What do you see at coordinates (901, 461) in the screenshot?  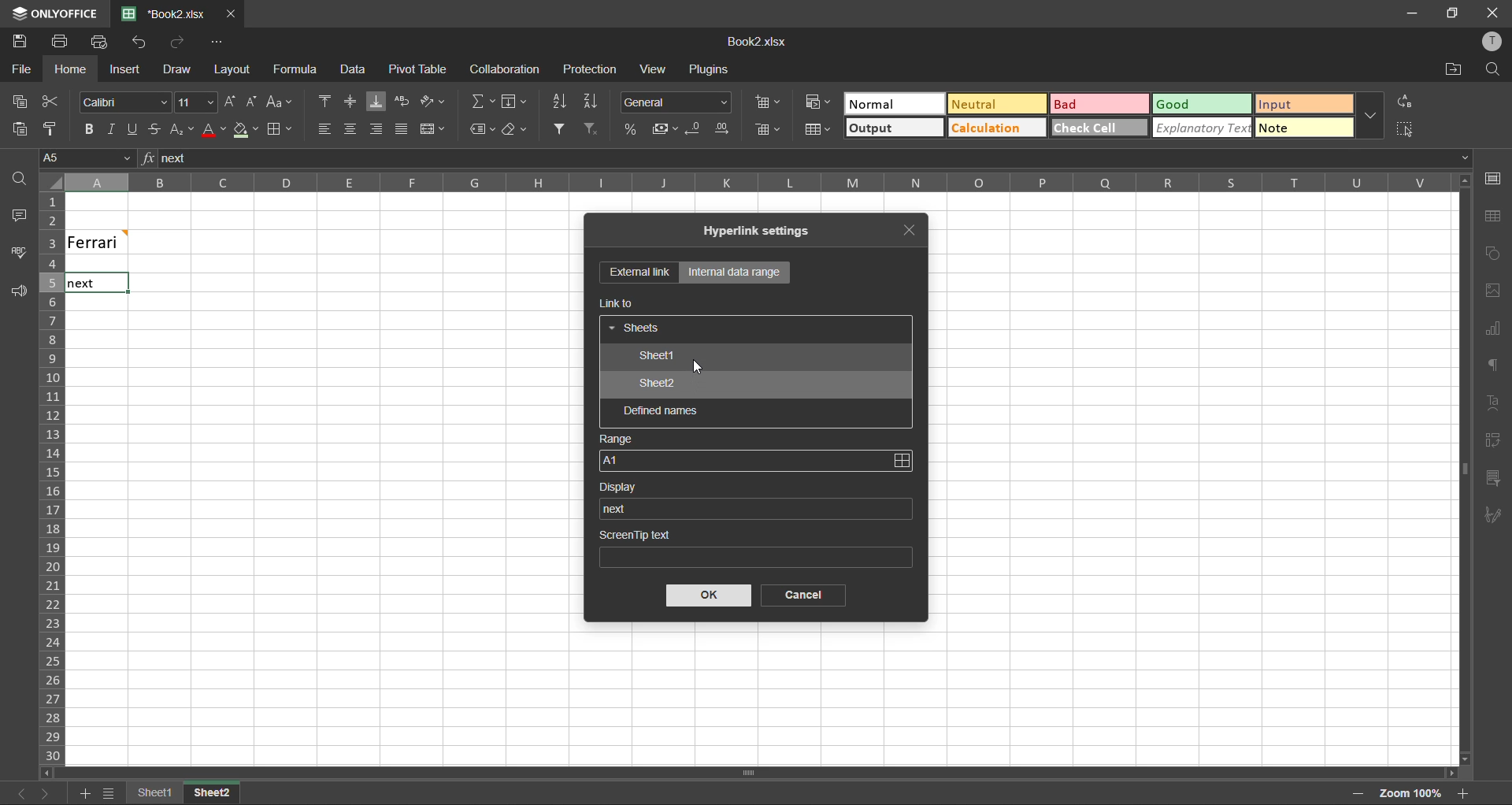 I see `select range` at bounding box center [901, 461].